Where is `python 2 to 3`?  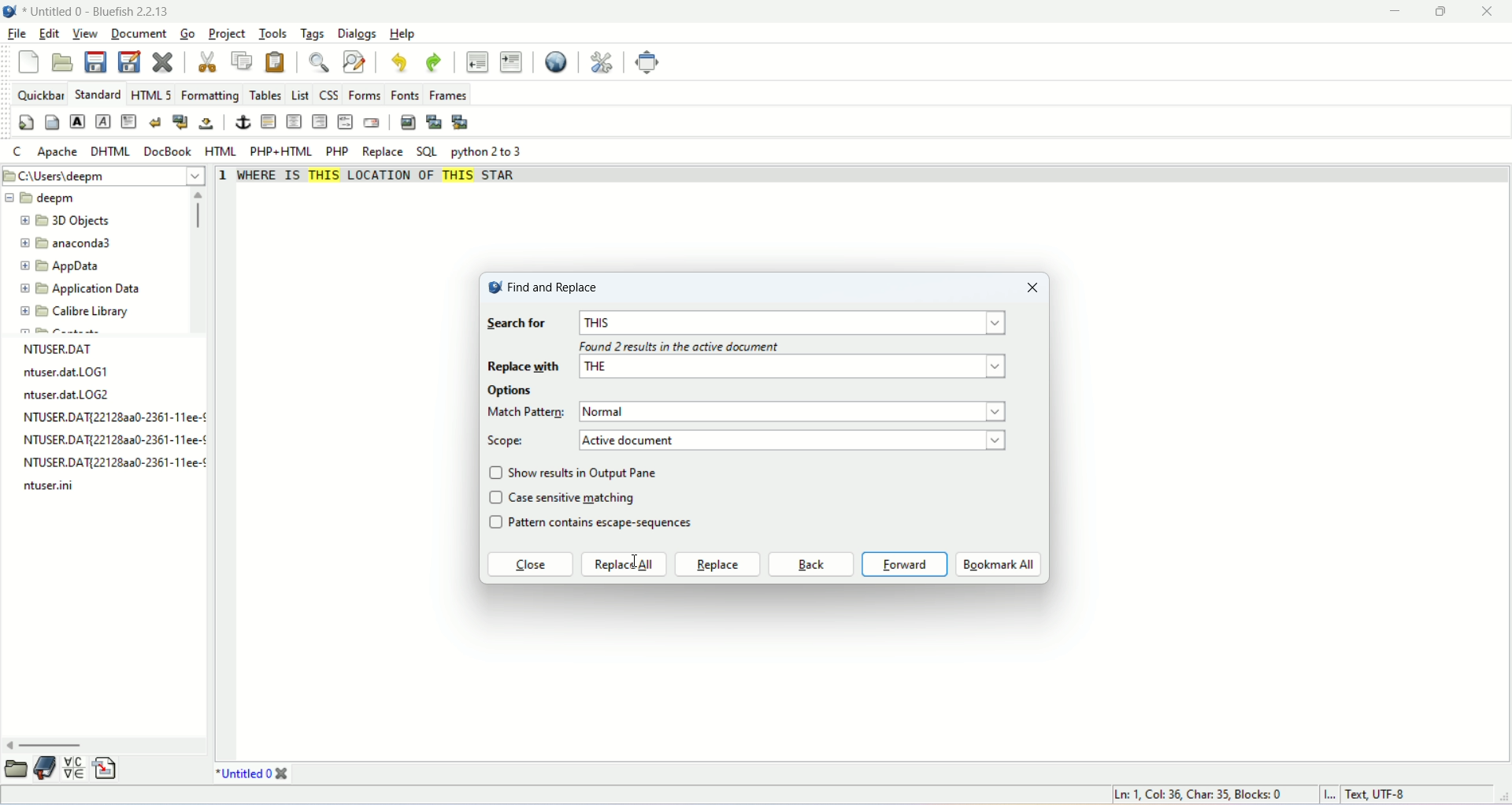 python 2 to 3 is located at coordinates (490, 152).